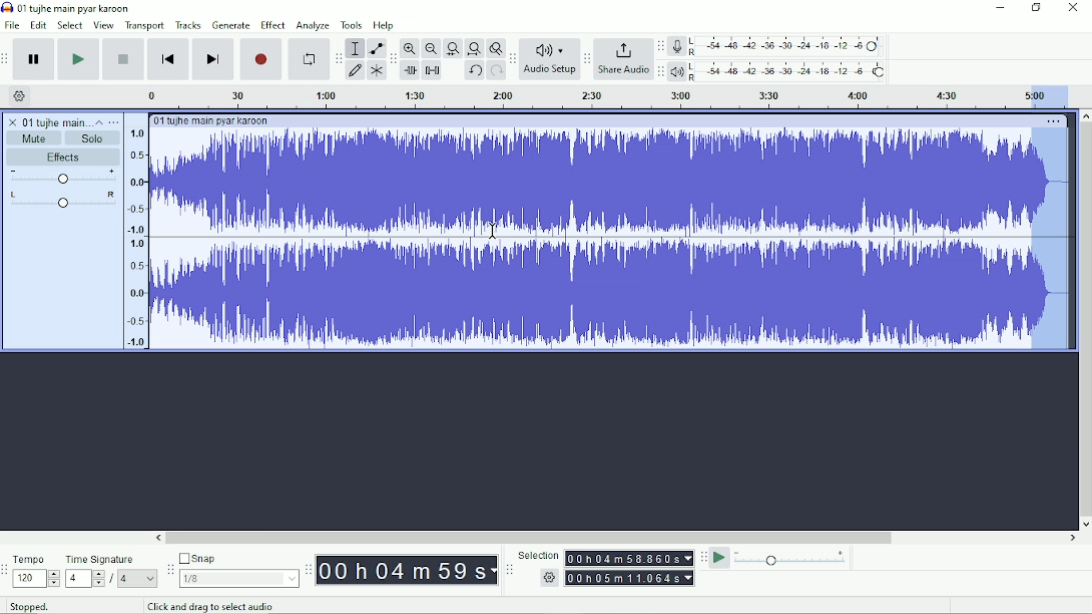  I want to click on Tempo, so click(37, 557).